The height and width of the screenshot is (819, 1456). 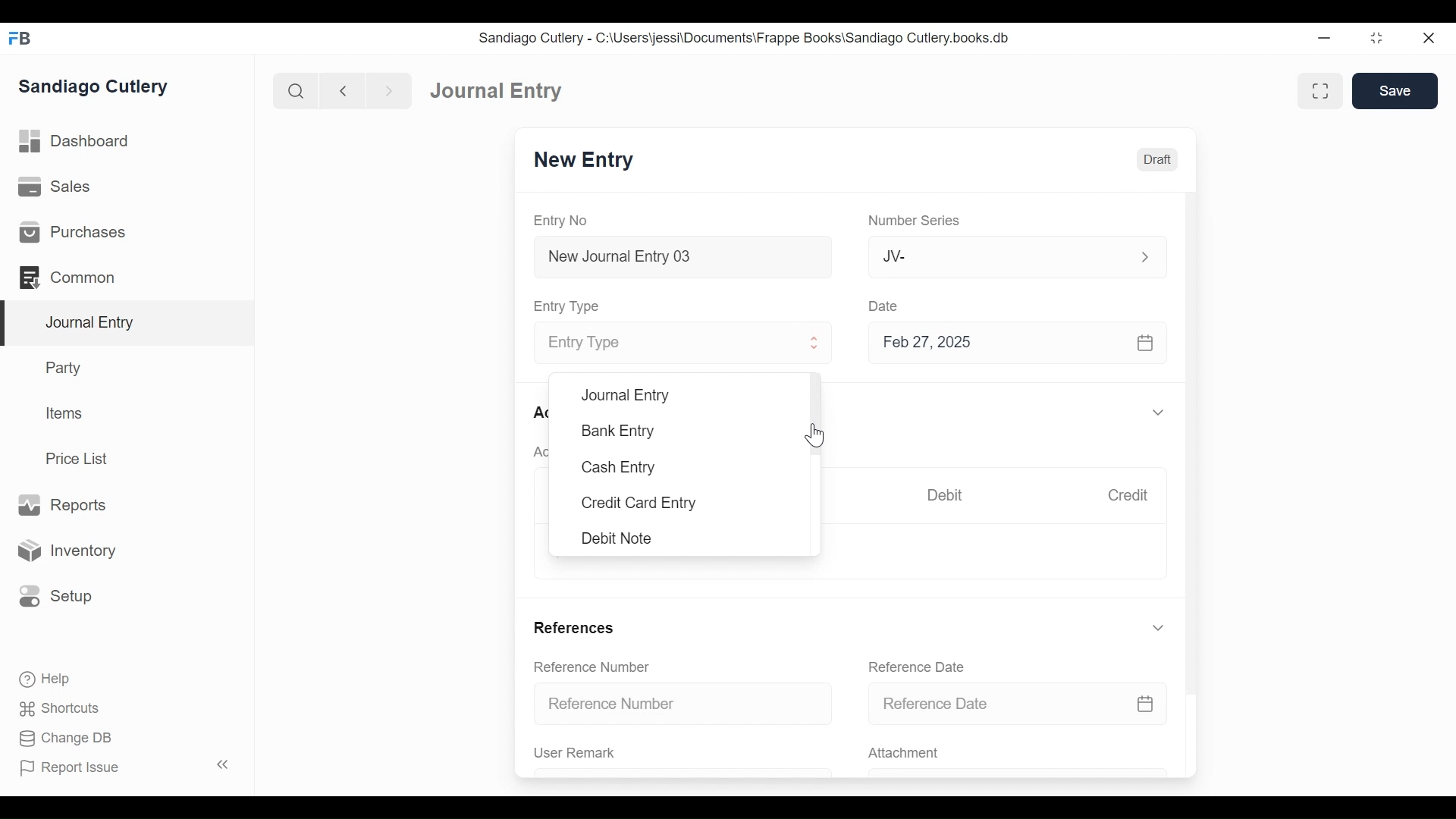 I want to click on Price List, so click(x=80, y=458).